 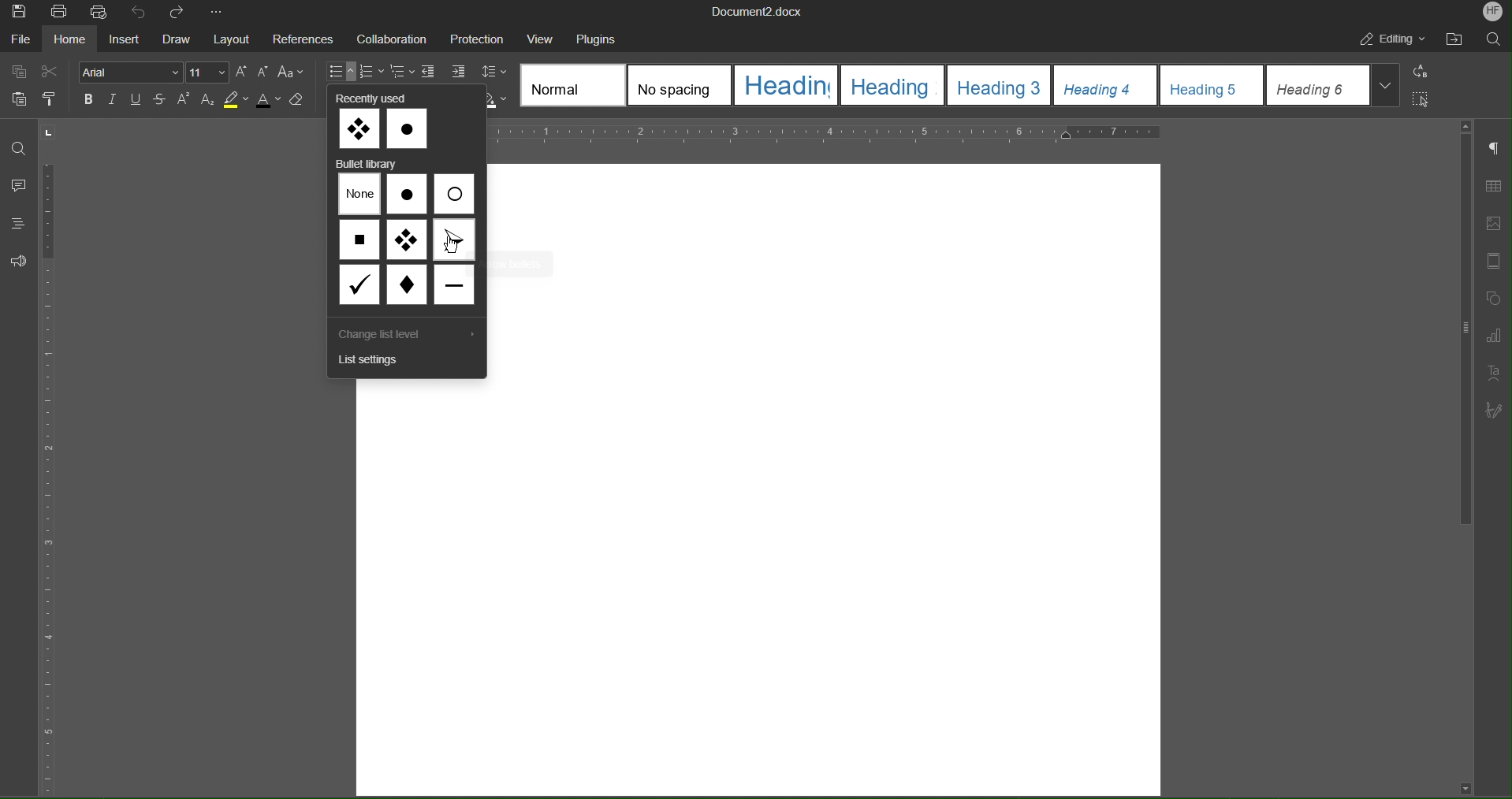 What do you see at coordinates (1421, 101) in the screenshot?
I see `Select All` at bounding box center [1421, 101].